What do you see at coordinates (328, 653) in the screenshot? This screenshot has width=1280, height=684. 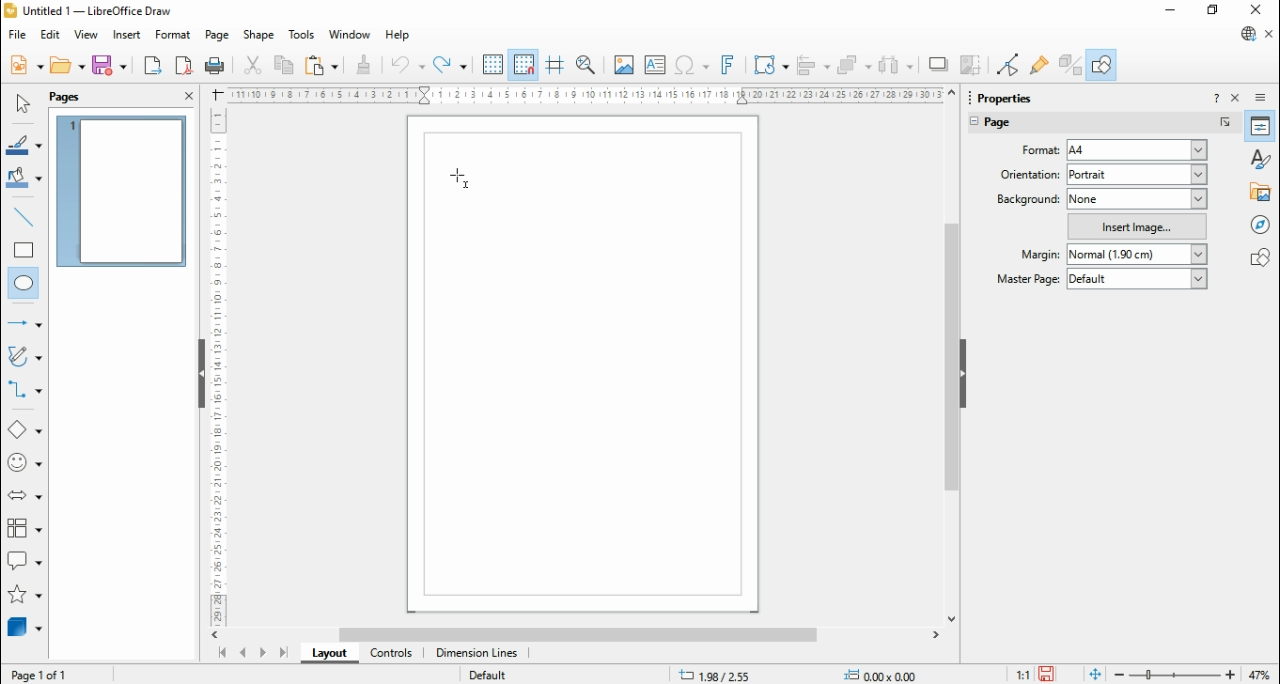 I see `layout` at bounding box center [328, 653].